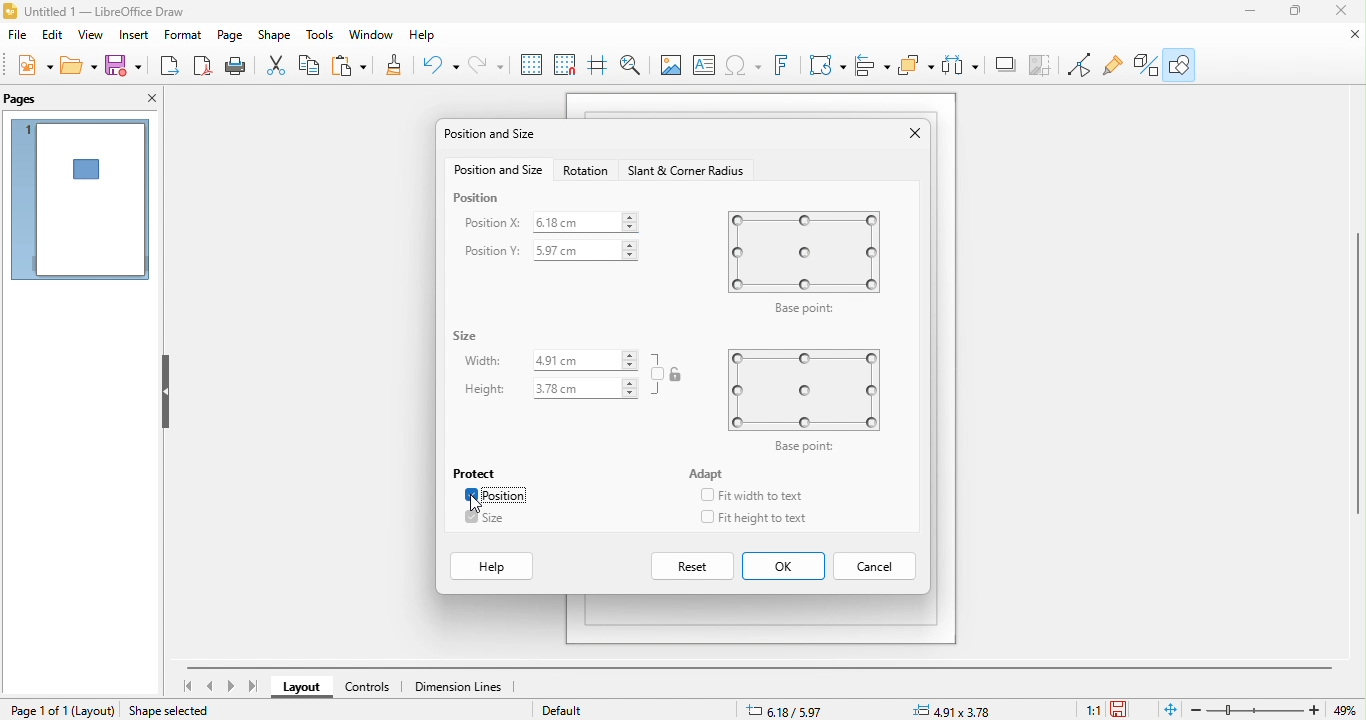 This screenshot has width=1366, height=720. What do you see at coordinates (588, 172) in the screenshot?
I see `rotation` at bounding box center [588, 172].